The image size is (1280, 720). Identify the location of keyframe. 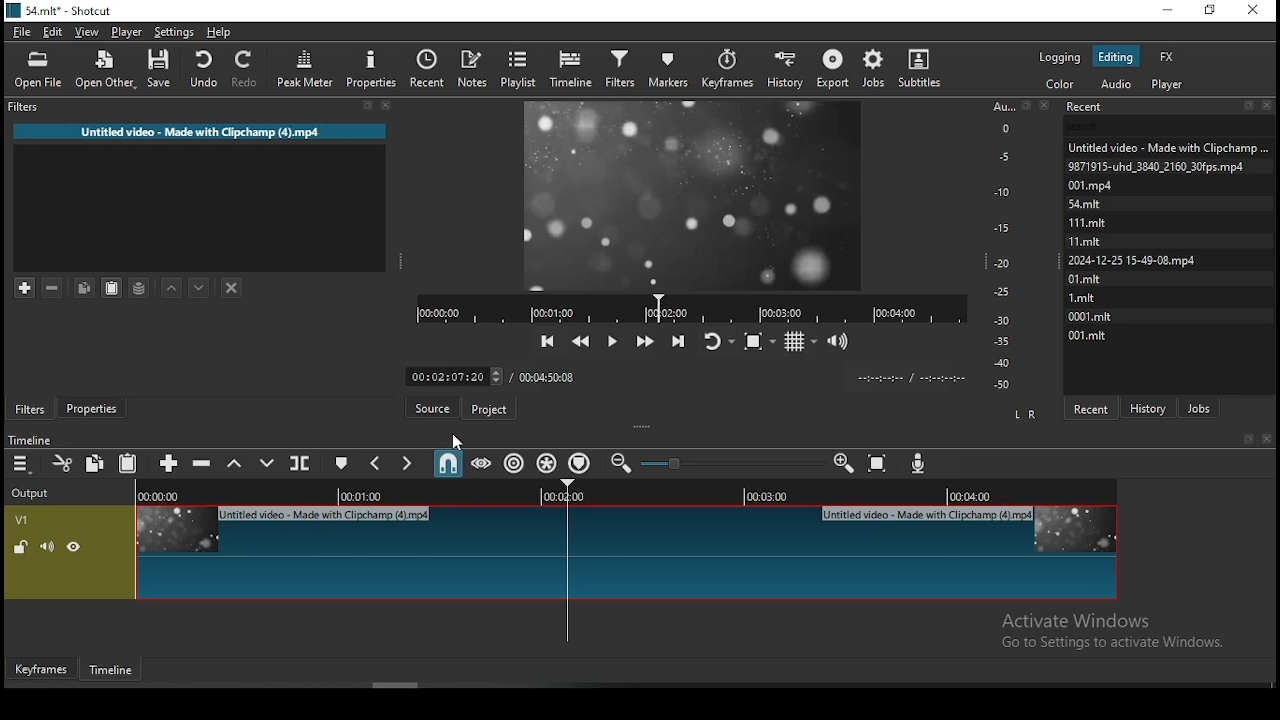
(40, 670).